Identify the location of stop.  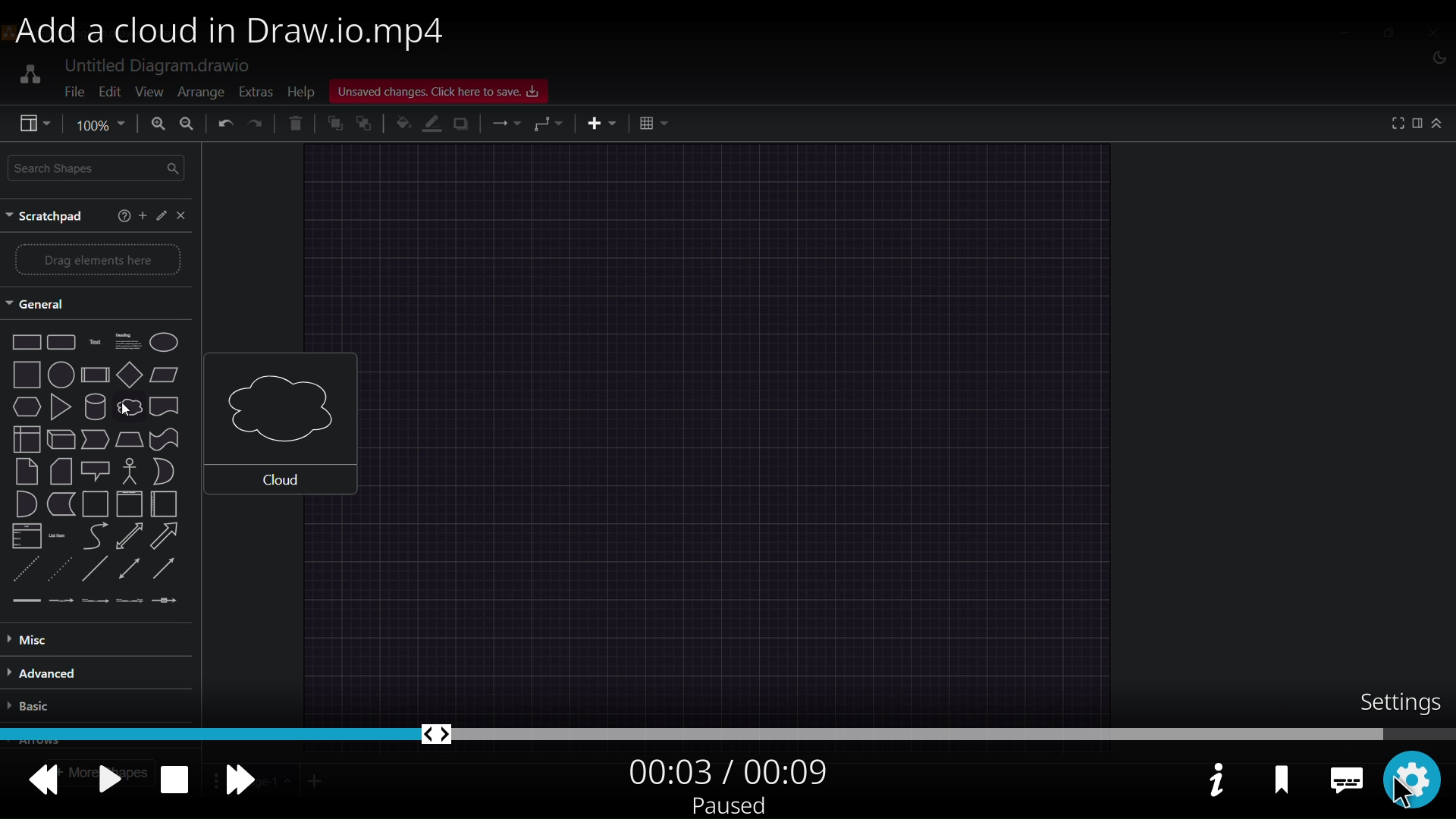
(170, 779).